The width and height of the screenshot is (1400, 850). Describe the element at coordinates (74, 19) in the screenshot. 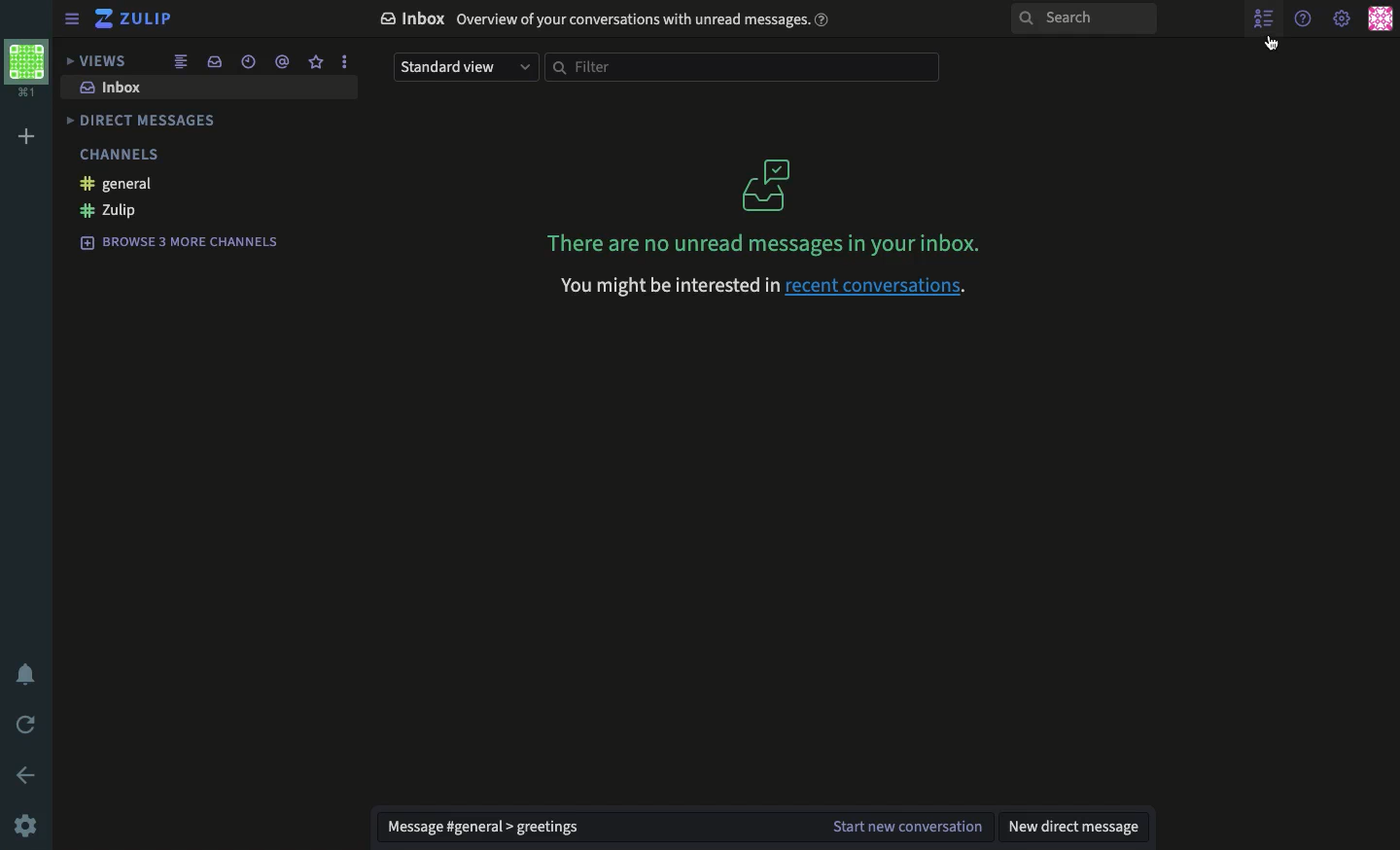

I see `sidebar` at that location.